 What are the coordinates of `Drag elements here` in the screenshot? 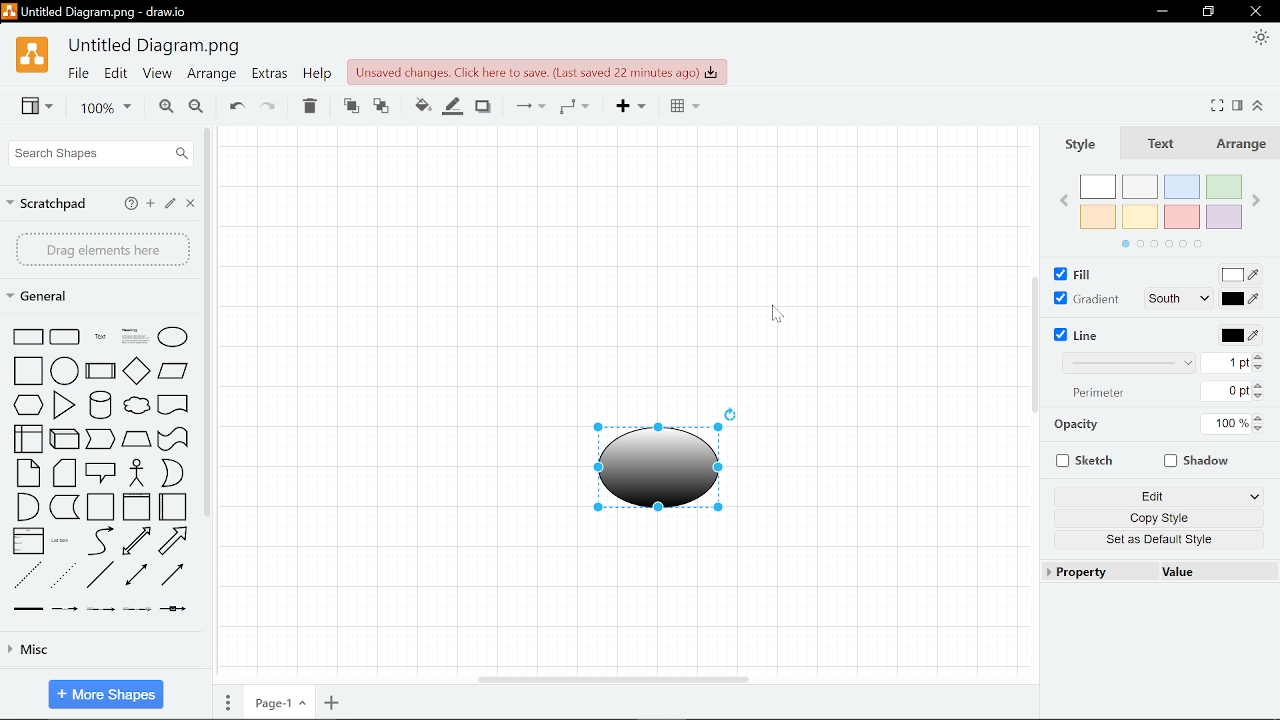 It's located at (104, 250).